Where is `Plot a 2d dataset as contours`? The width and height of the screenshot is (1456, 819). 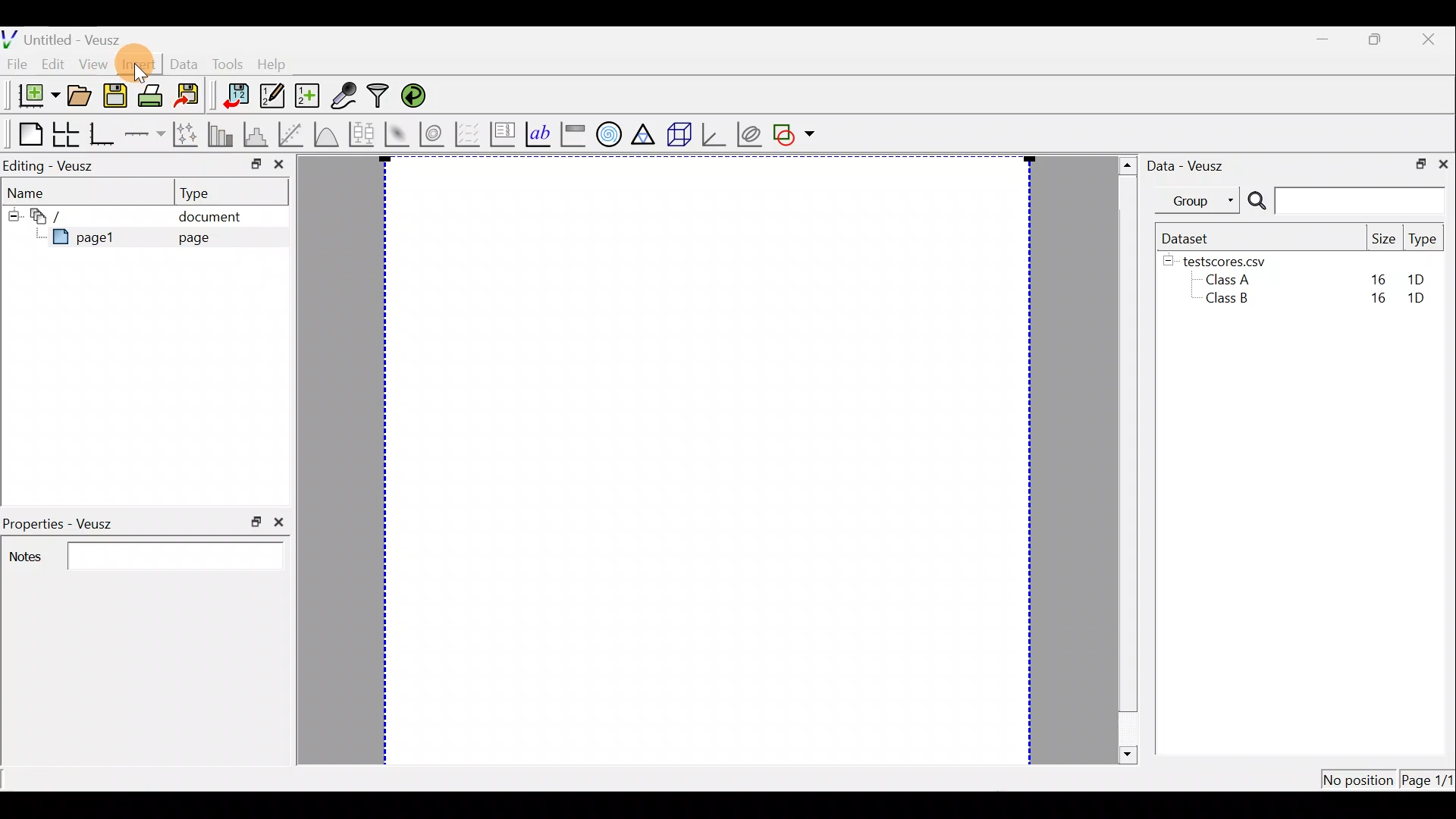
Plot a 2d dataset as contours is located at coordinates (434, 134).